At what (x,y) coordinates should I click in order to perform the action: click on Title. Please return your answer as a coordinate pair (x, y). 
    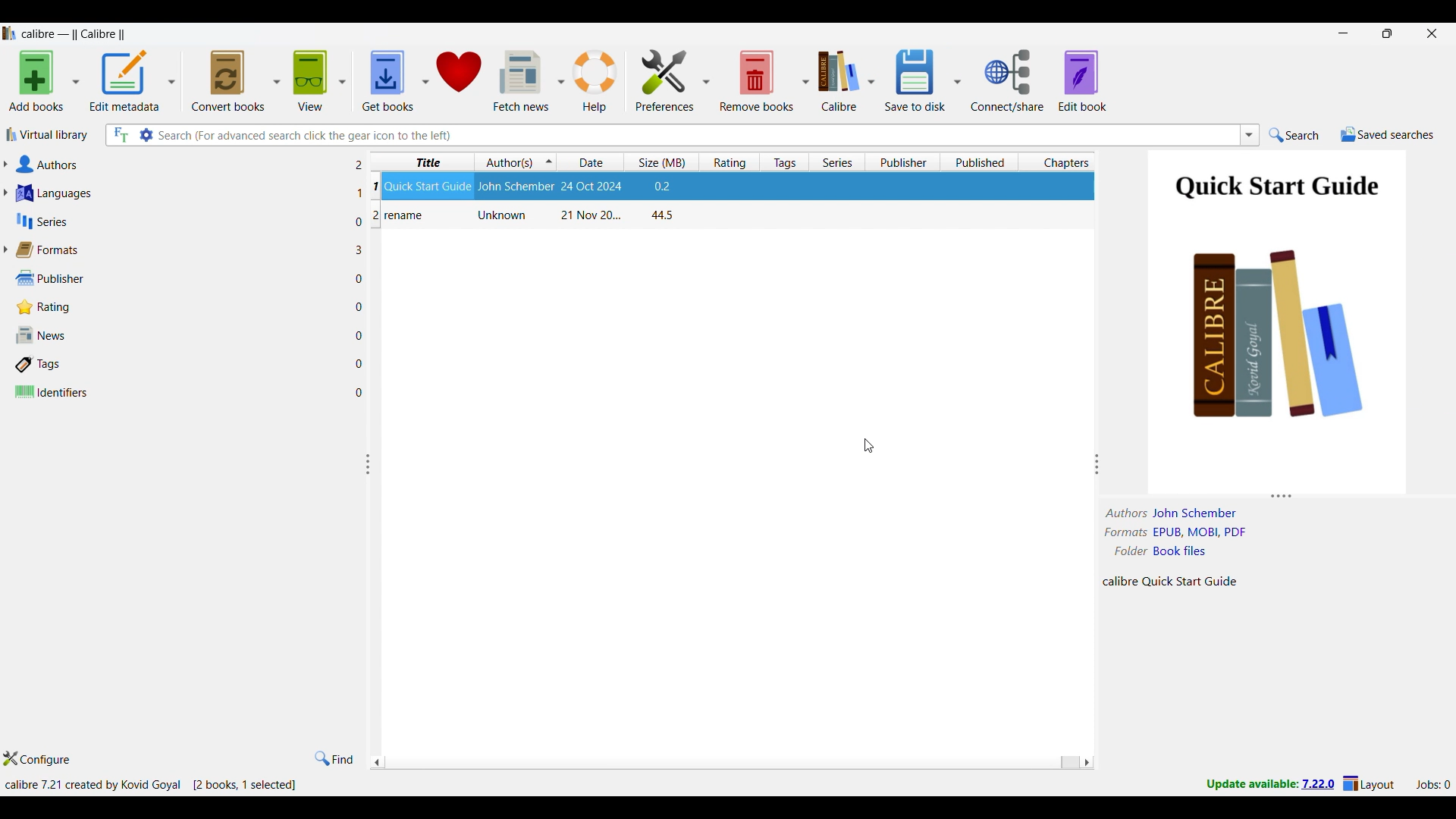
    Looking at the image, I should click on (406, 216).